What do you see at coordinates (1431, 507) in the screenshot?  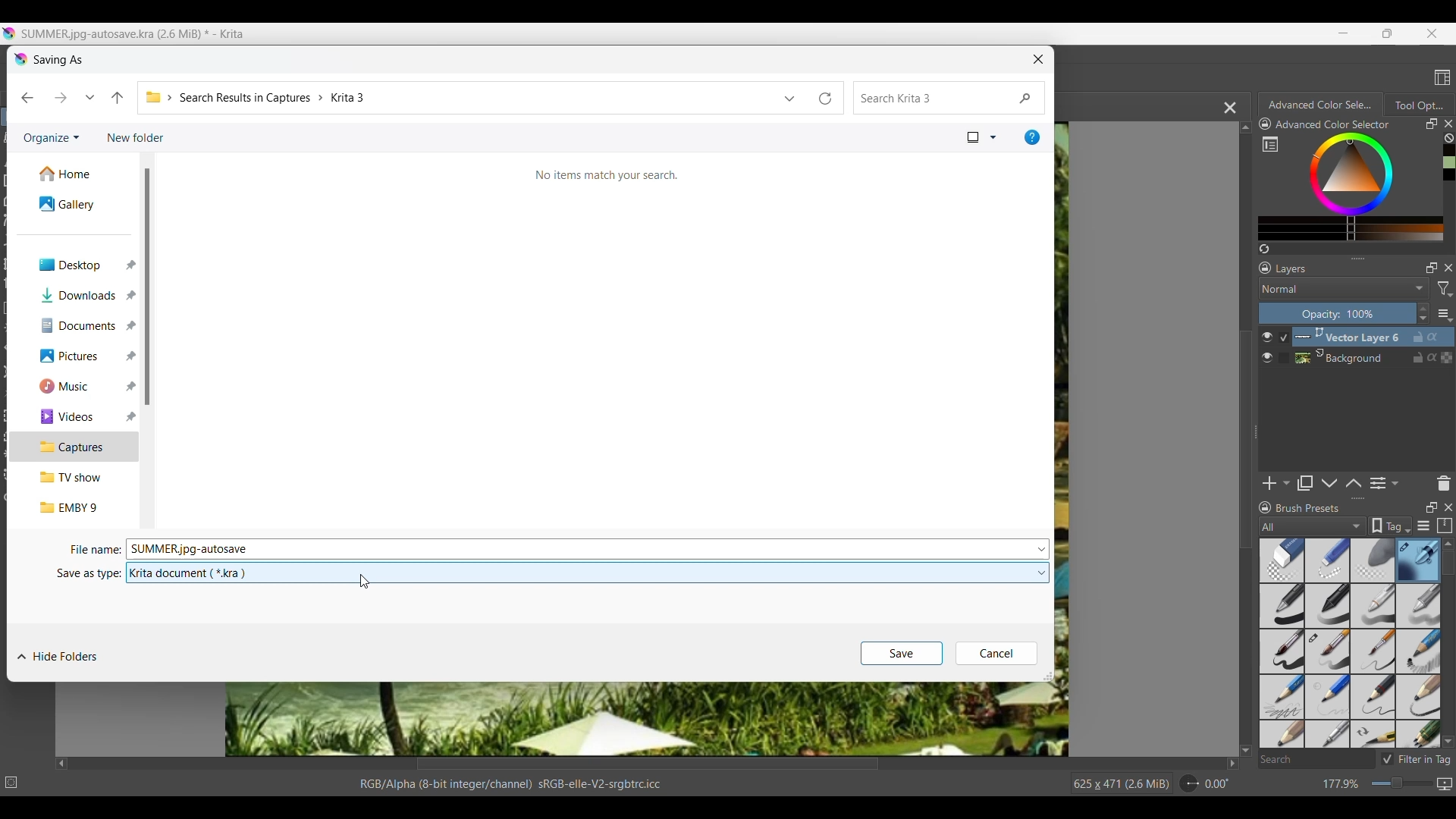 I see `Float panel` at bounding box center [1431, 507].